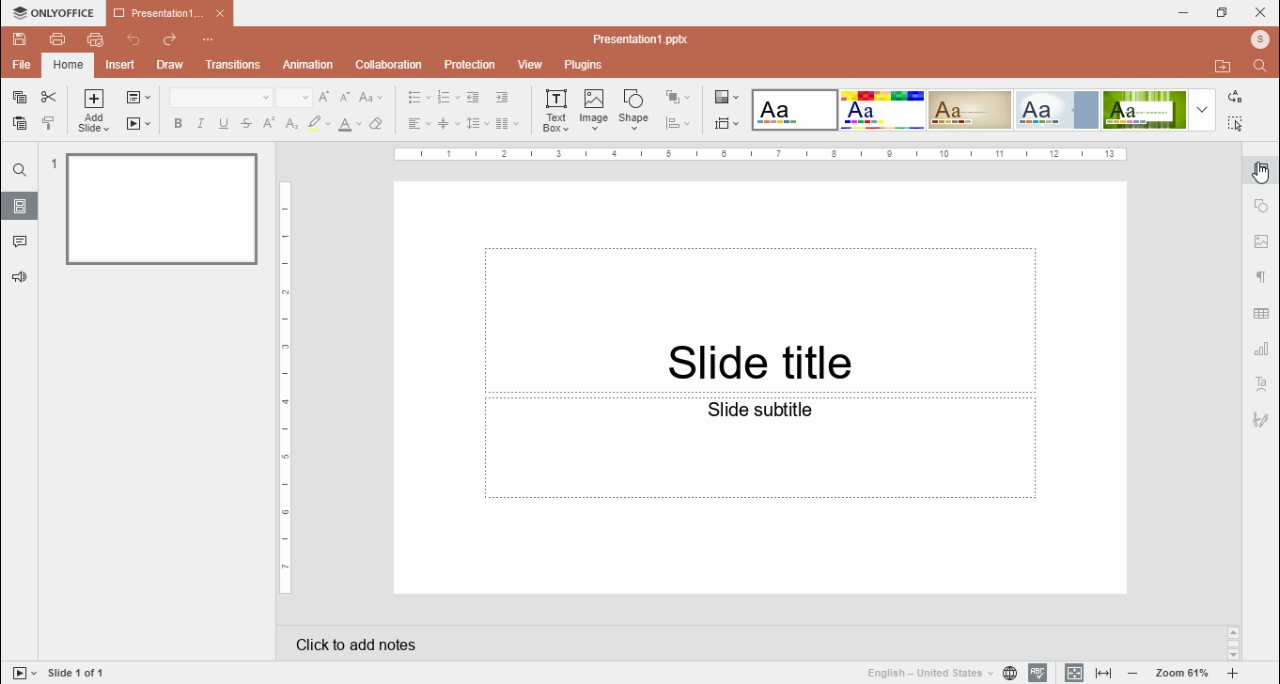 The height and width of the screenshot is (684, 1280). What do you see at coordinates (1260, 66) in the screenshot?
I see `find` at bounding box center [1260, 66].